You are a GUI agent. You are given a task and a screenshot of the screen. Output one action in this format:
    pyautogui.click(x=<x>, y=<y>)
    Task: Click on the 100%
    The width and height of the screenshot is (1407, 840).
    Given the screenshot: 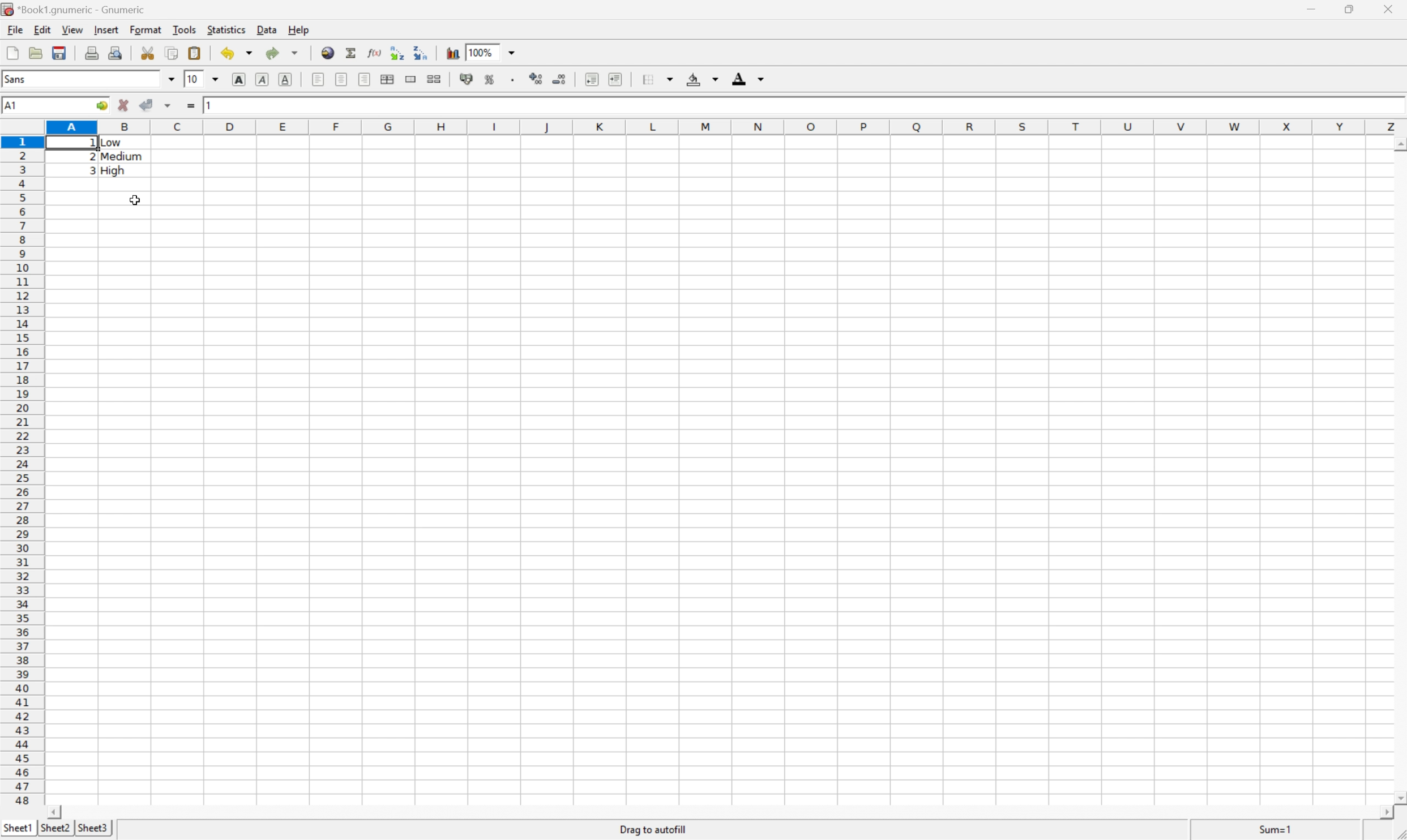 What is the action you would take?
    pyautogui.click(x=483, y=52)
    